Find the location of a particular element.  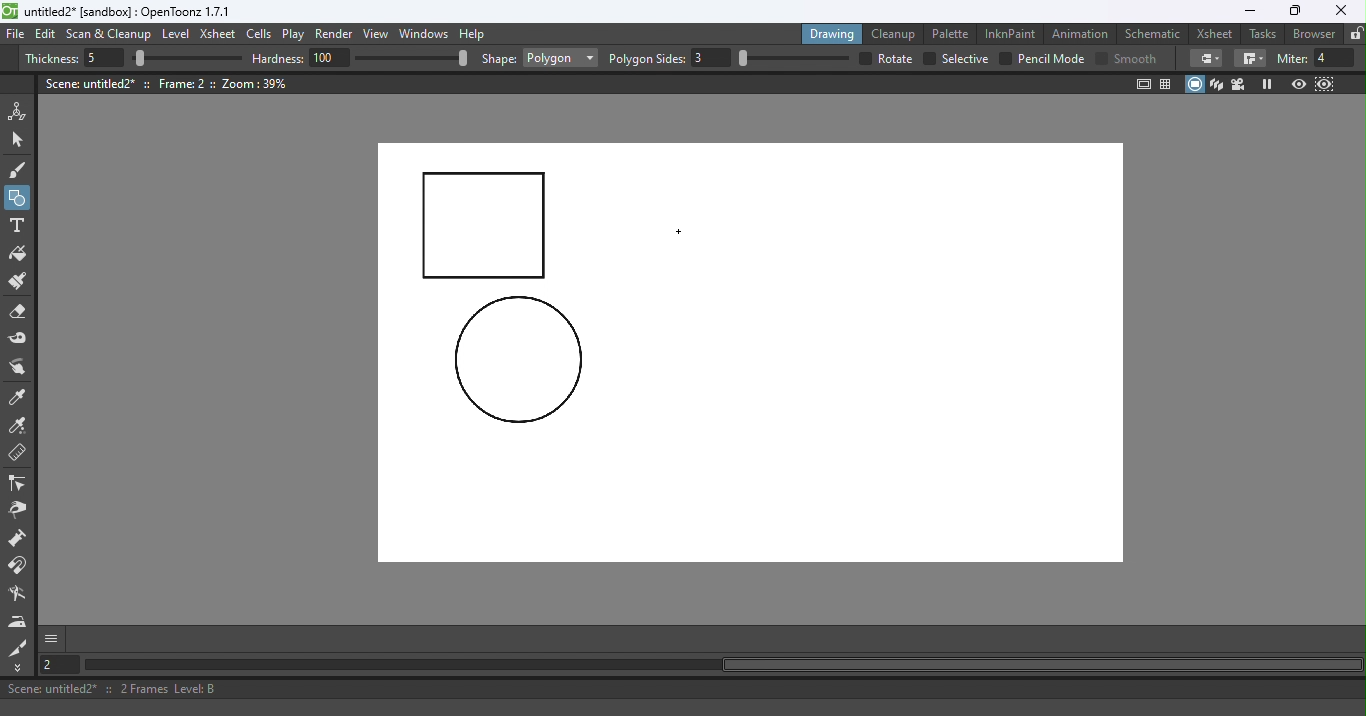

Eraser tool is located at coordinates (23, 312).